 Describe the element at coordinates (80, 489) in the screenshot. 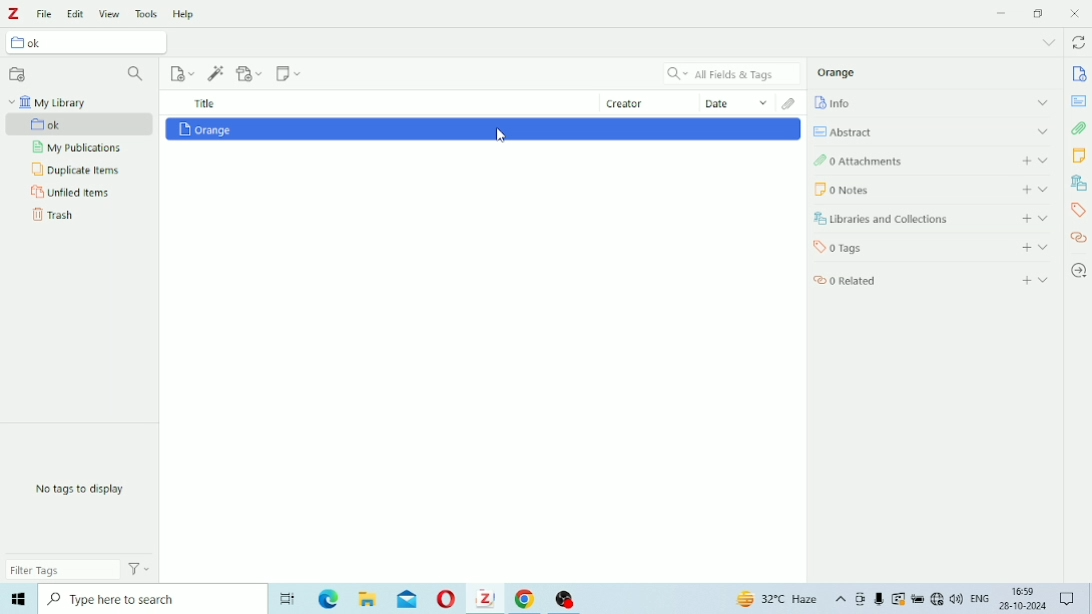

I see `No tags to display` at that location.